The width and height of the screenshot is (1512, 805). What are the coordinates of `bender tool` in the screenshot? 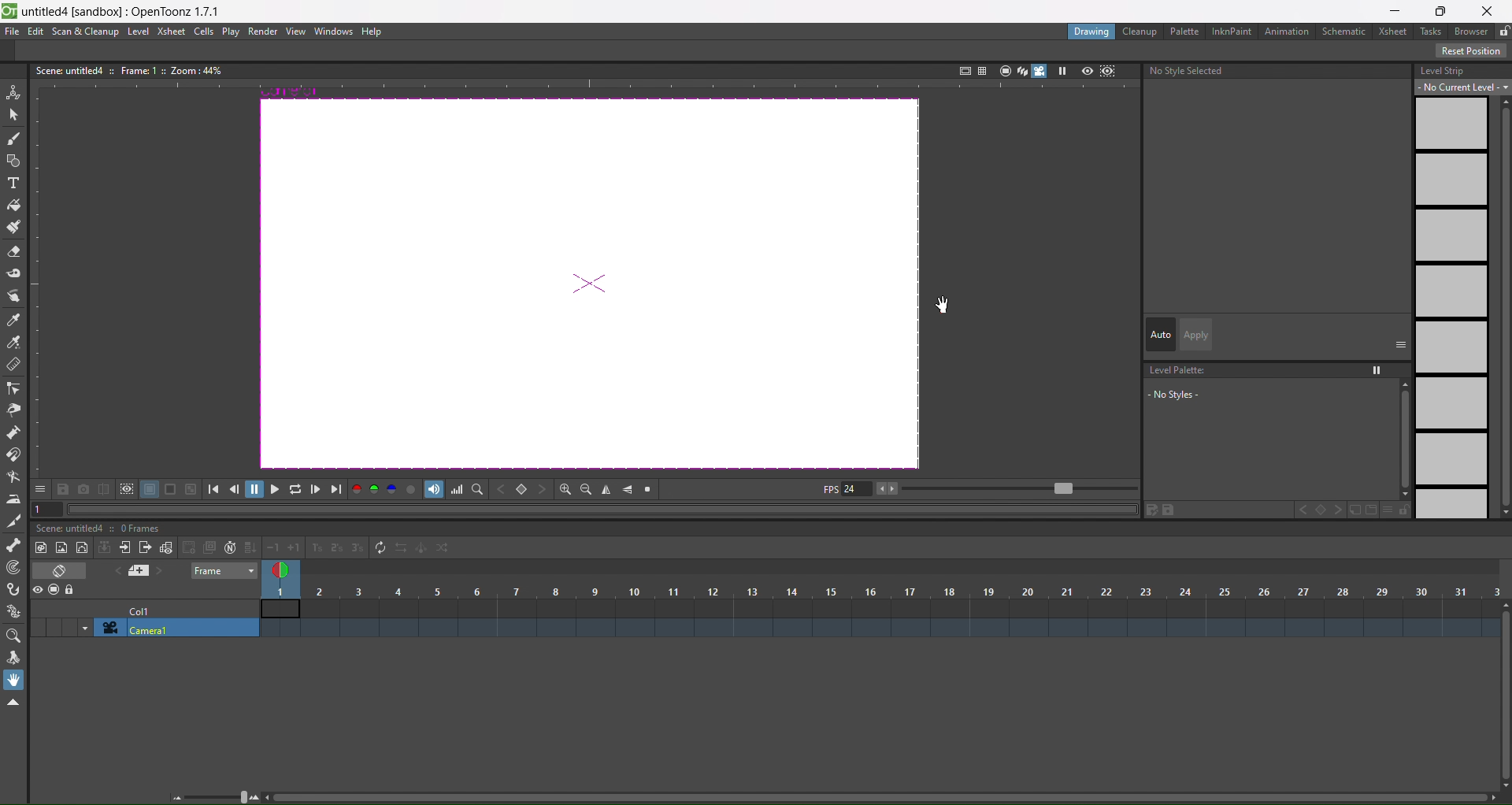 It's located at (14, 477).